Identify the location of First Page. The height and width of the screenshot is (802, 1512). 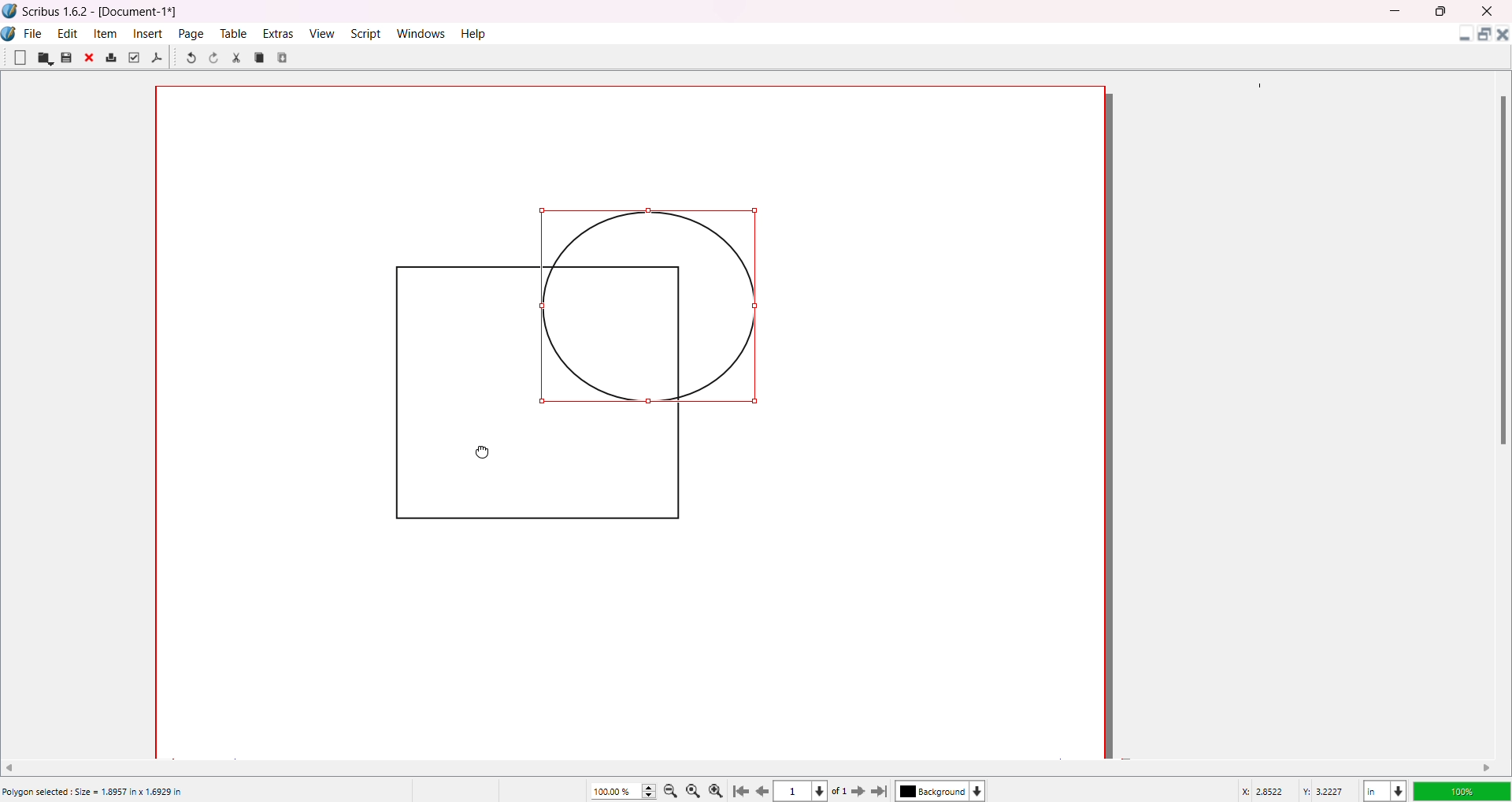
(743, 789).